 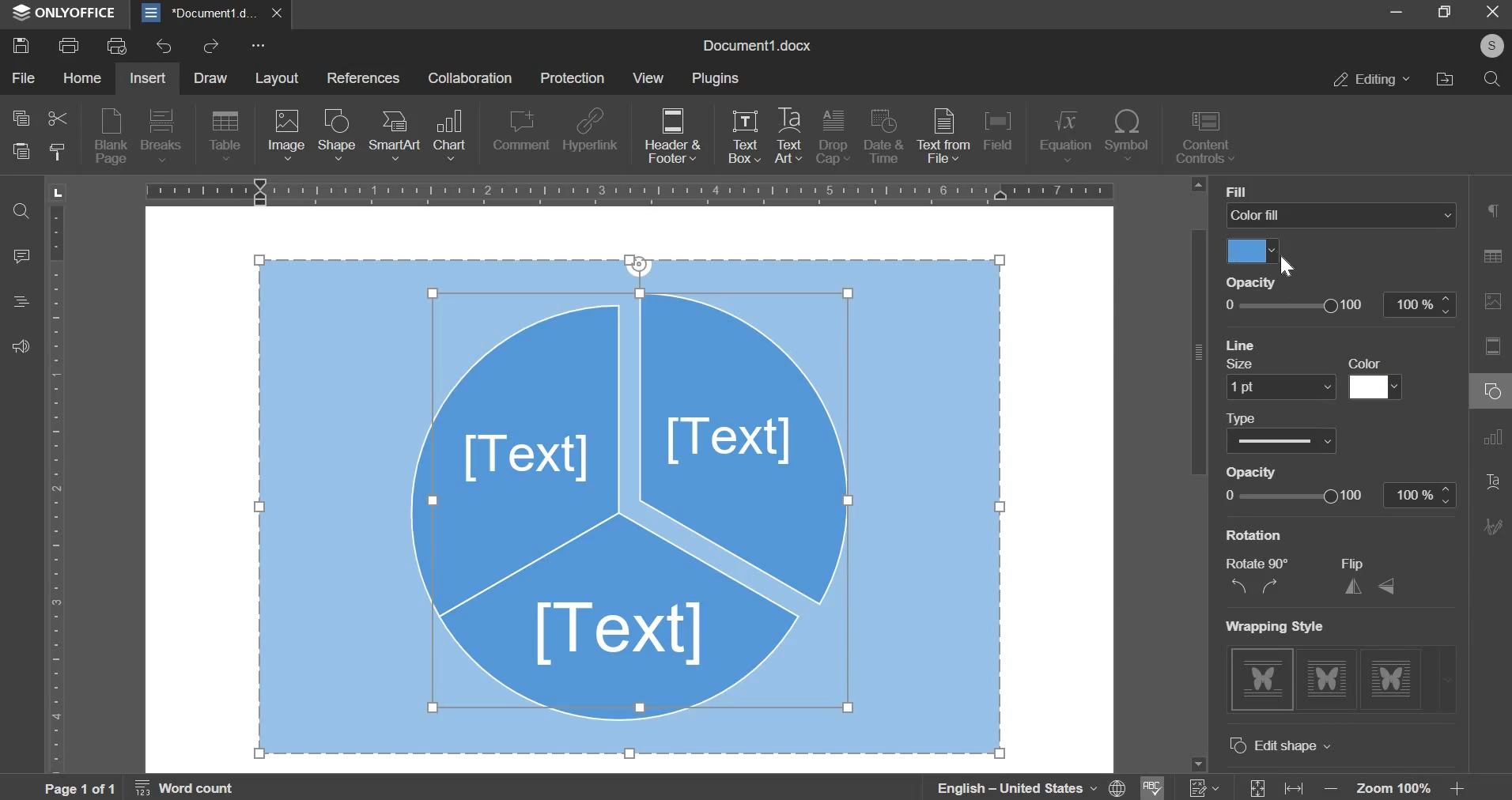 I want to click on line opacity, so click(x=1338, y=494).